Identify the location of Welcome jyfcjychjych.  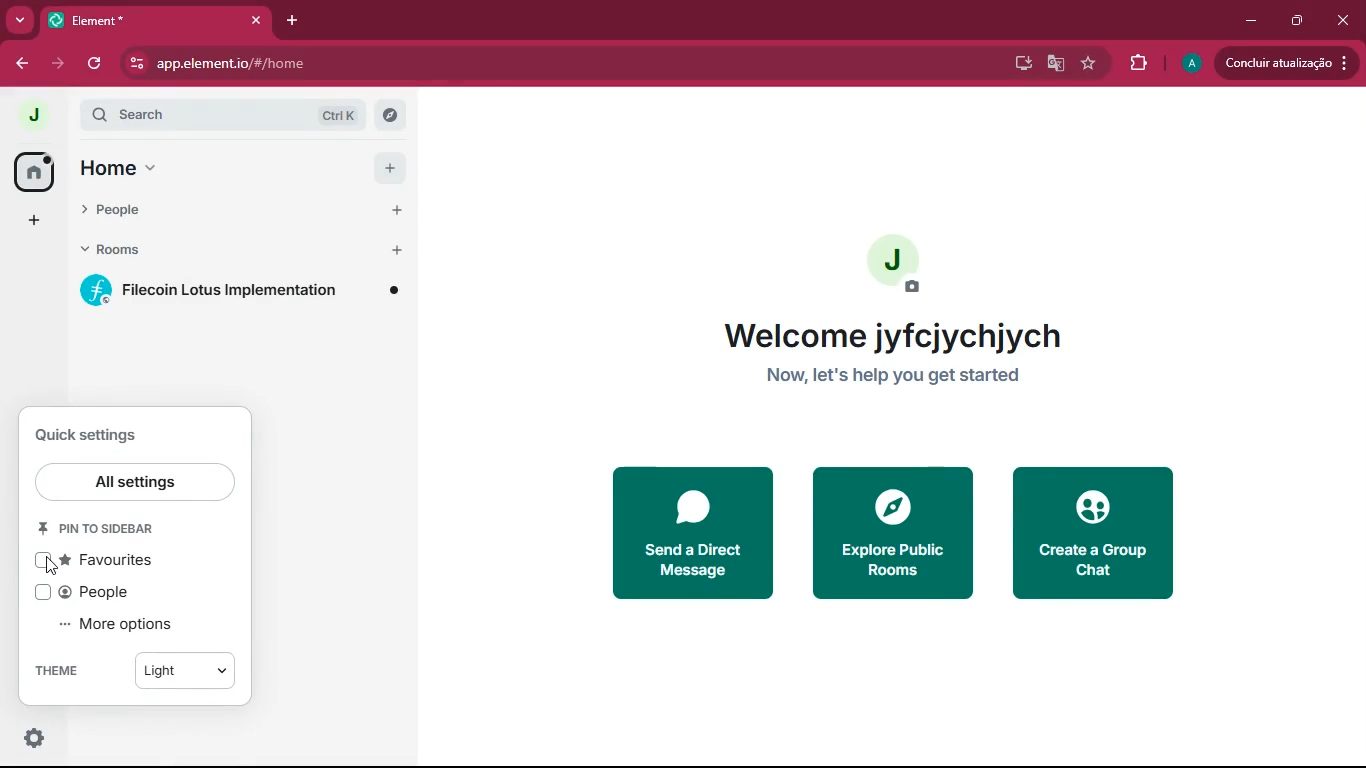
(893, 335).